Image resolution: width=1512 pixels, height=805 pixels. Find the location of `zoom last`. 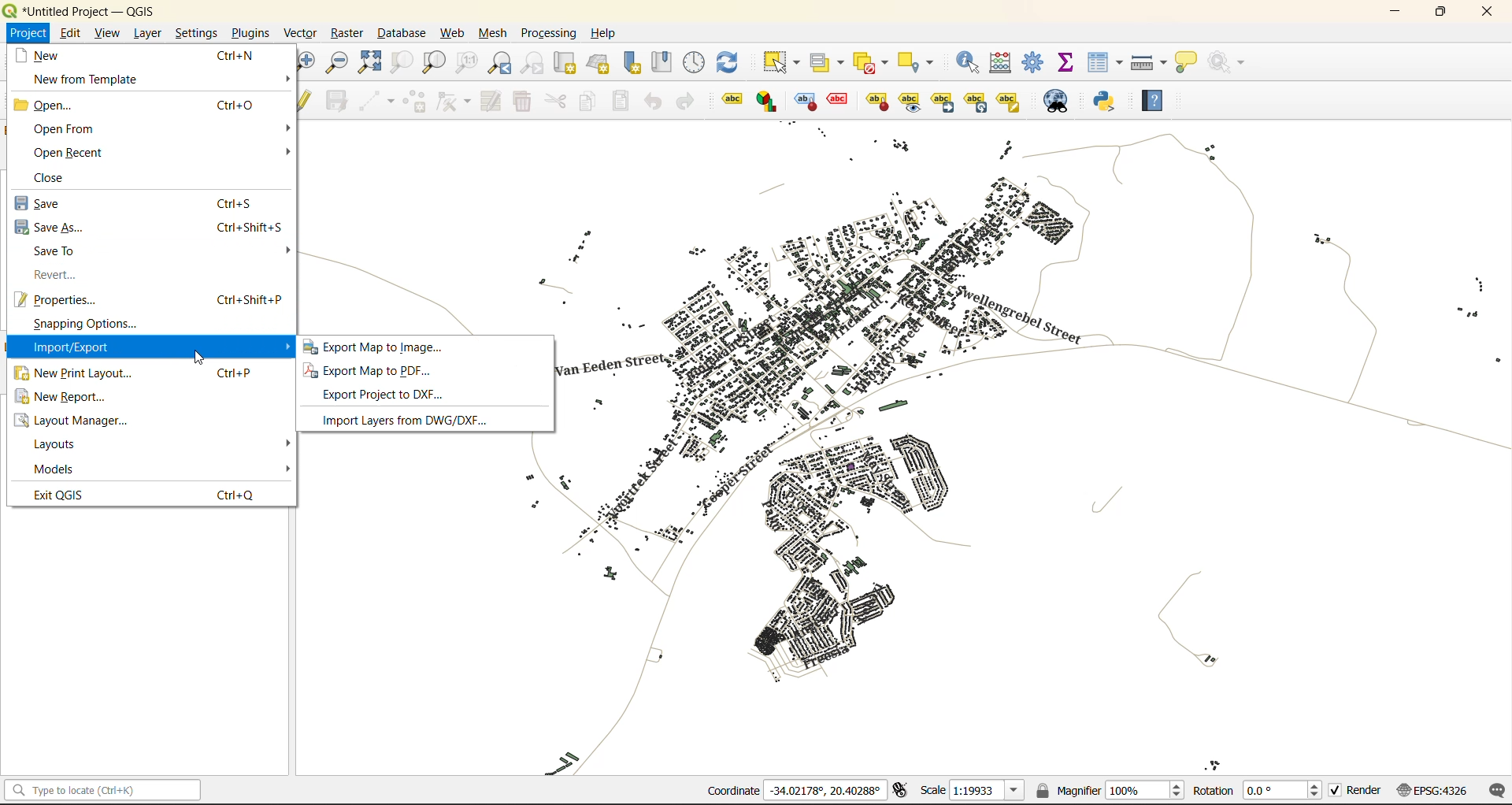

zoom last is located at coordinates (502, 63).